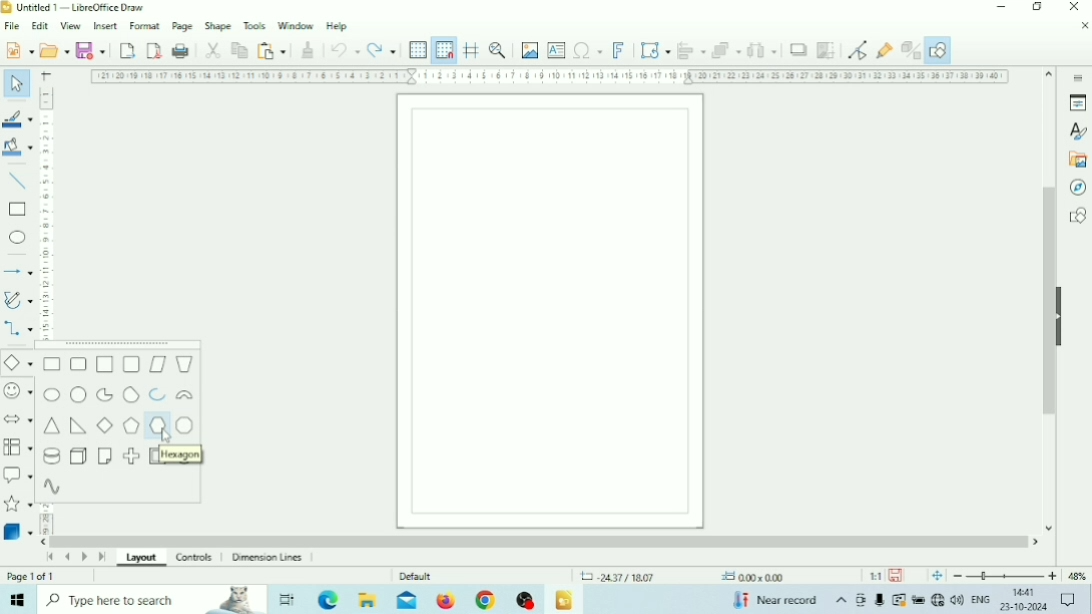  Describe the element at coordinates (18, 391) in the screenshot. I see `Symbol Shapes` at that location.